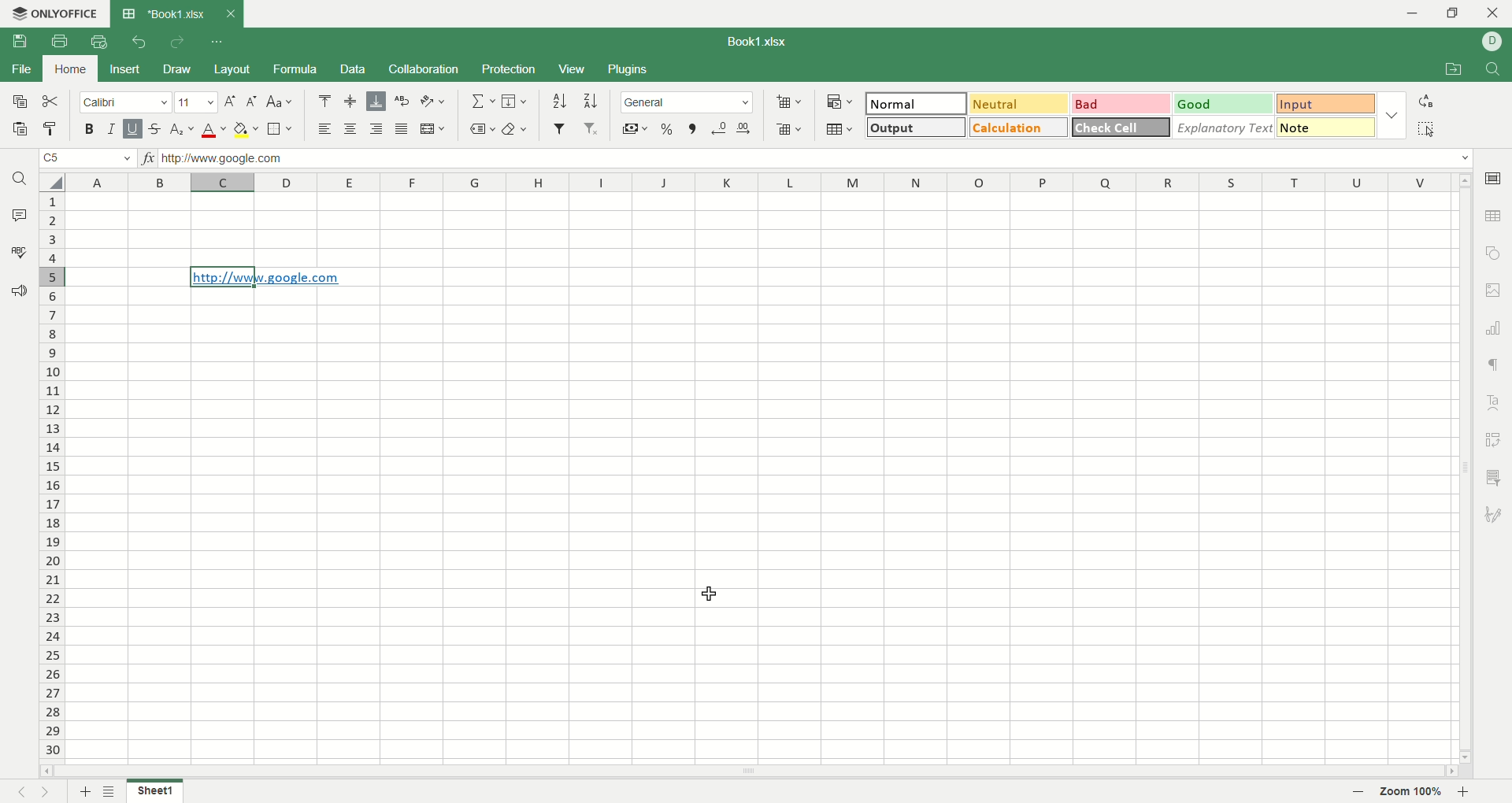  I want to click on fill color, so click(246, 130).